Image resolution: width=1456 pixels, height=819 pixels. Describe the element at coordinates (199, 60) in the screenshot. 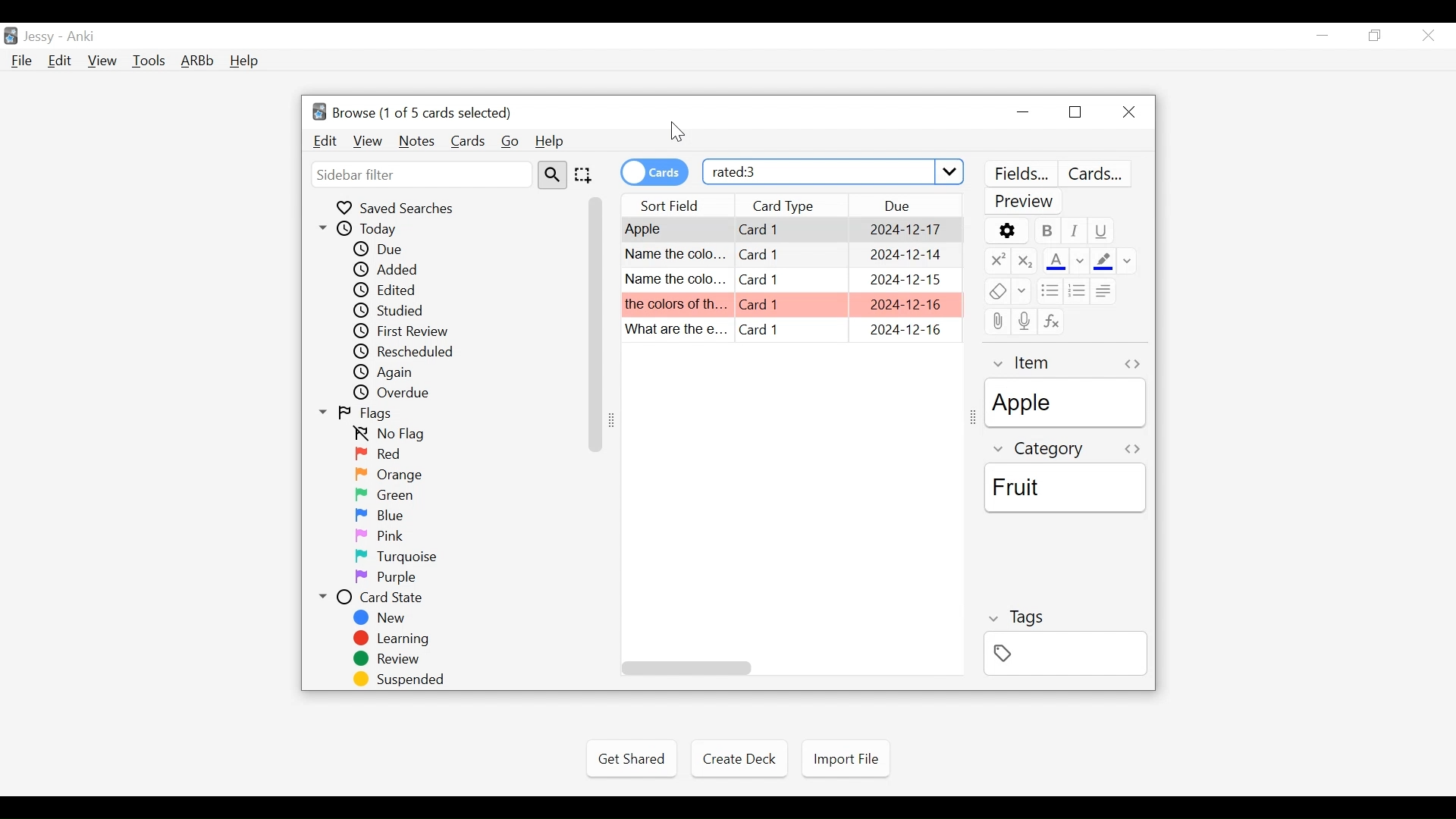

I see `Advanced Review Button bar` at that location.